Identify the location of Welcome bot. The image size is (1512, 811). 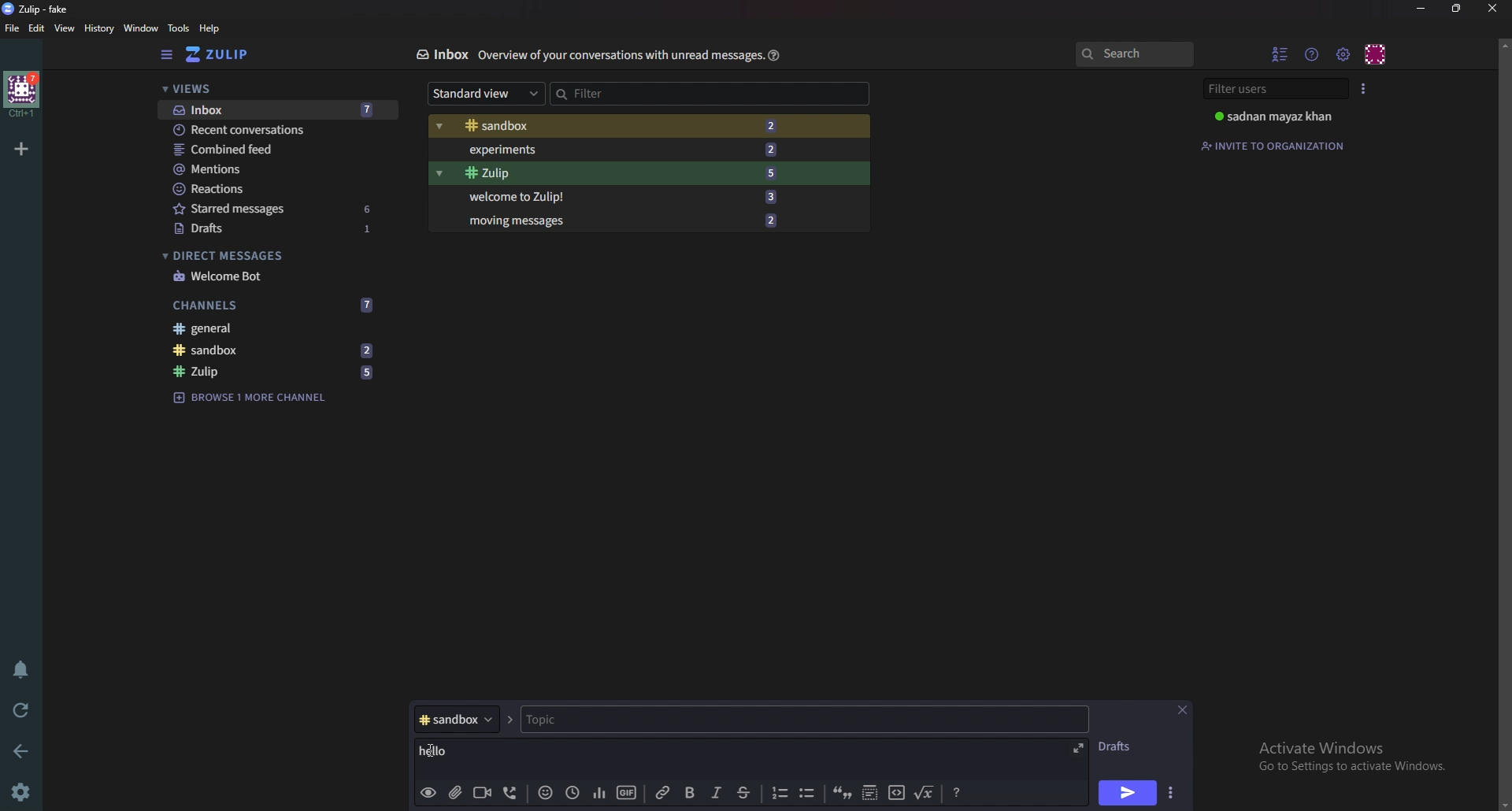
(275, 277).